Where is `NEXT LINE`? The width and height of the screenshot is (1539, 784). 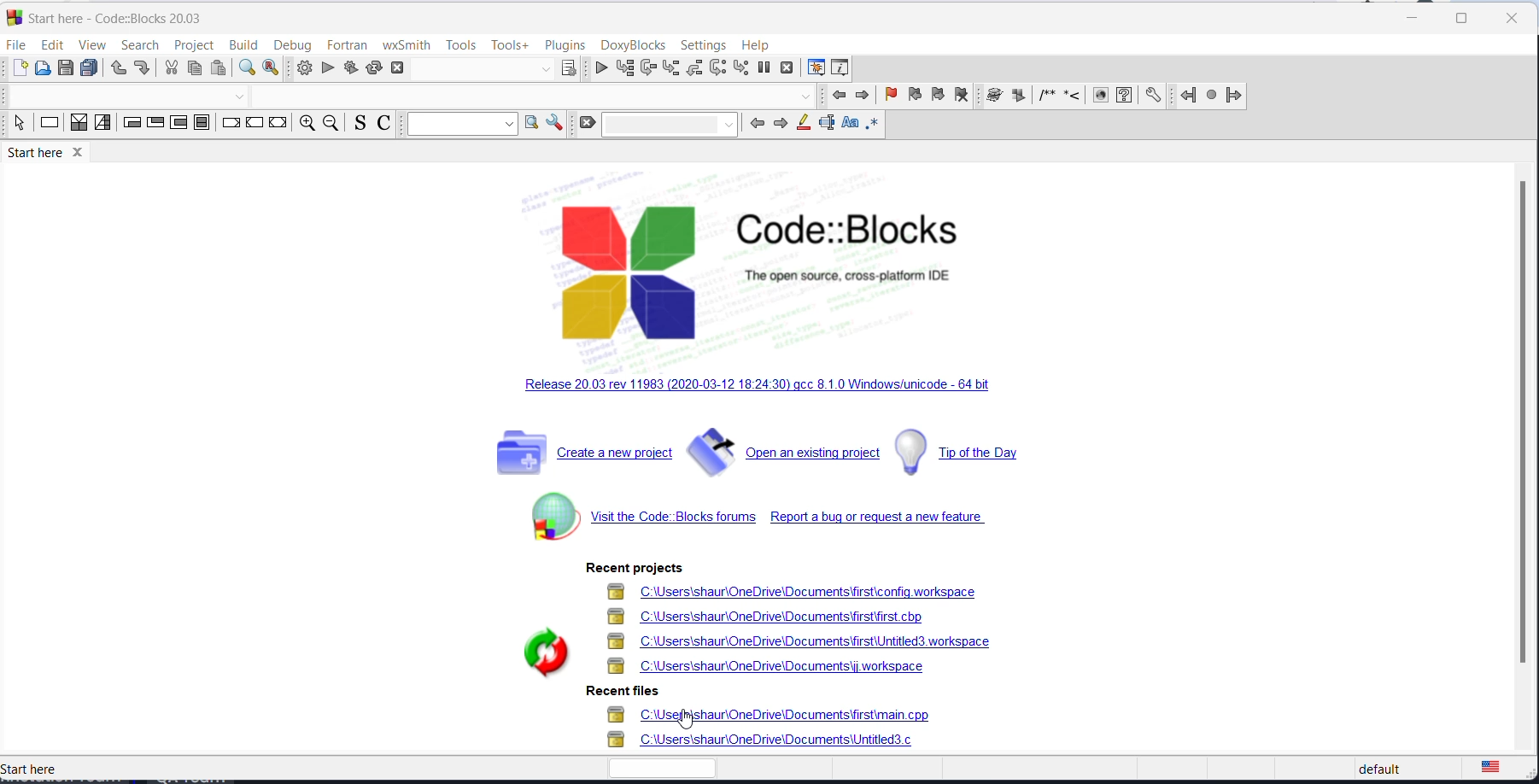
NEXT LINE is located at coordinates (647, 69).